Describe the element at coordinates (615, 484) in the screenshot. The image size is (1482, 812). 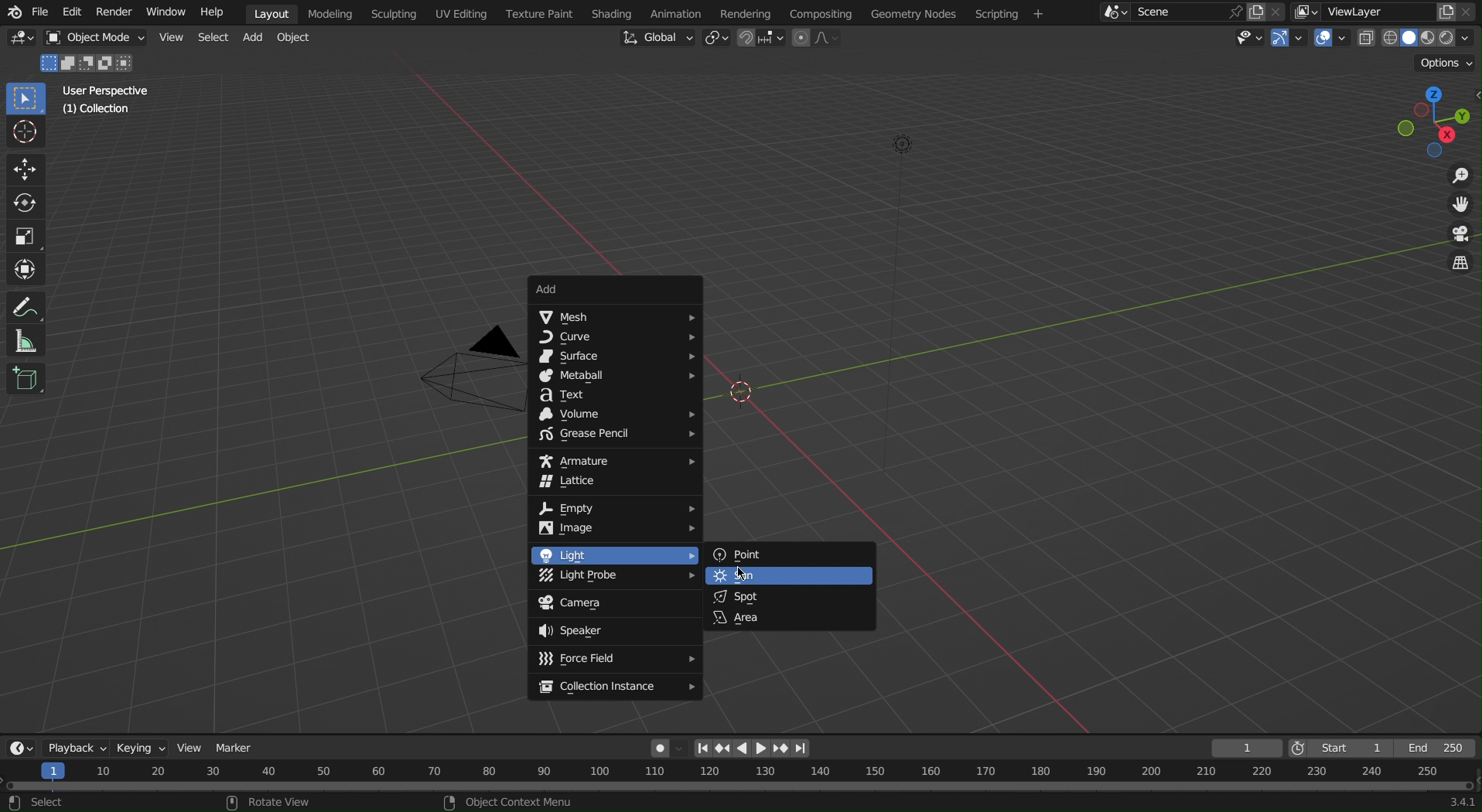
I see `Lattice` at that location.